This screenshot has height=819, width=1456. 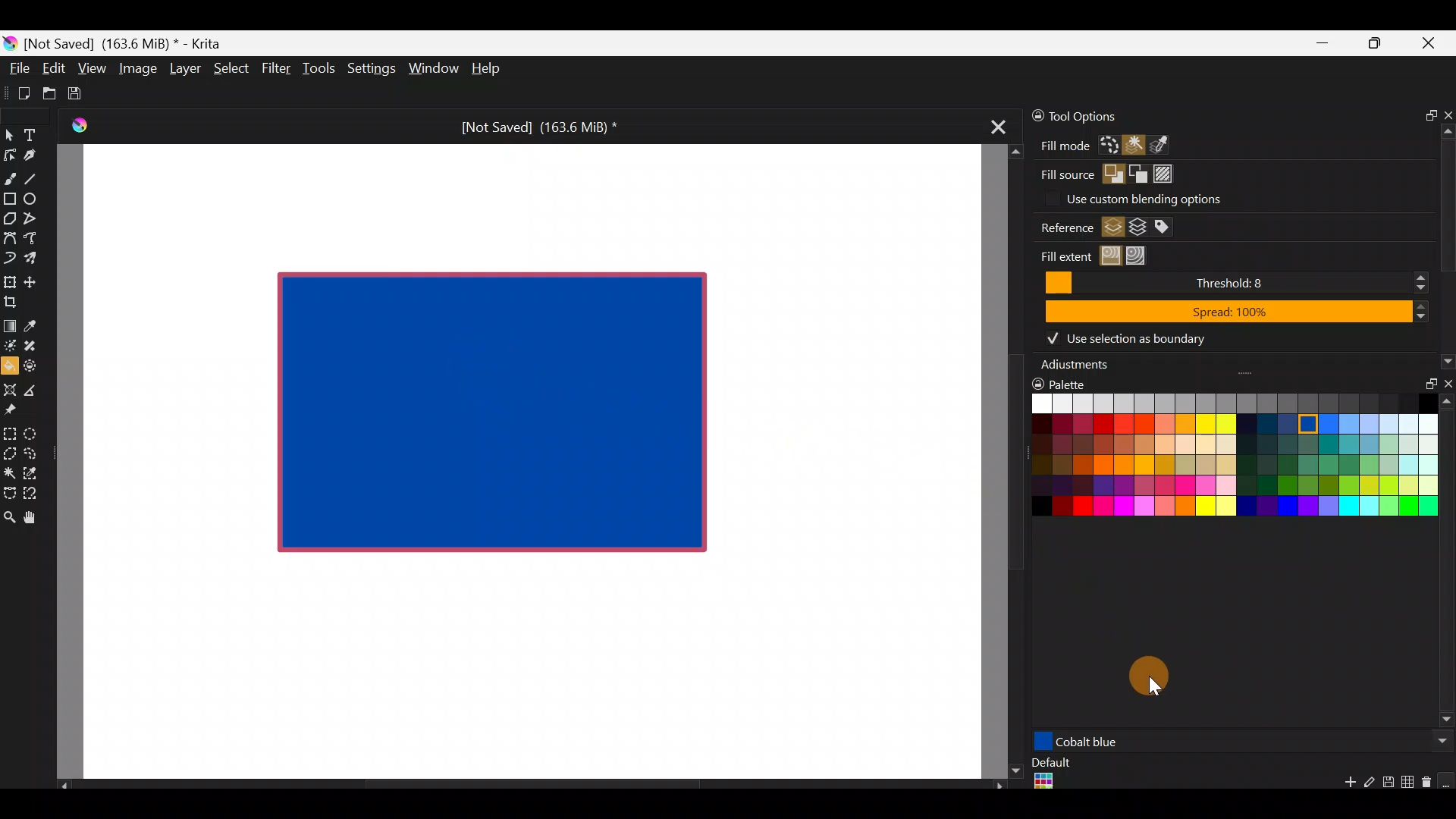 What do you see at coordinates (1110, 174) in the screenshot?
I see `Foreground color` at bounding box center [1110, 174].